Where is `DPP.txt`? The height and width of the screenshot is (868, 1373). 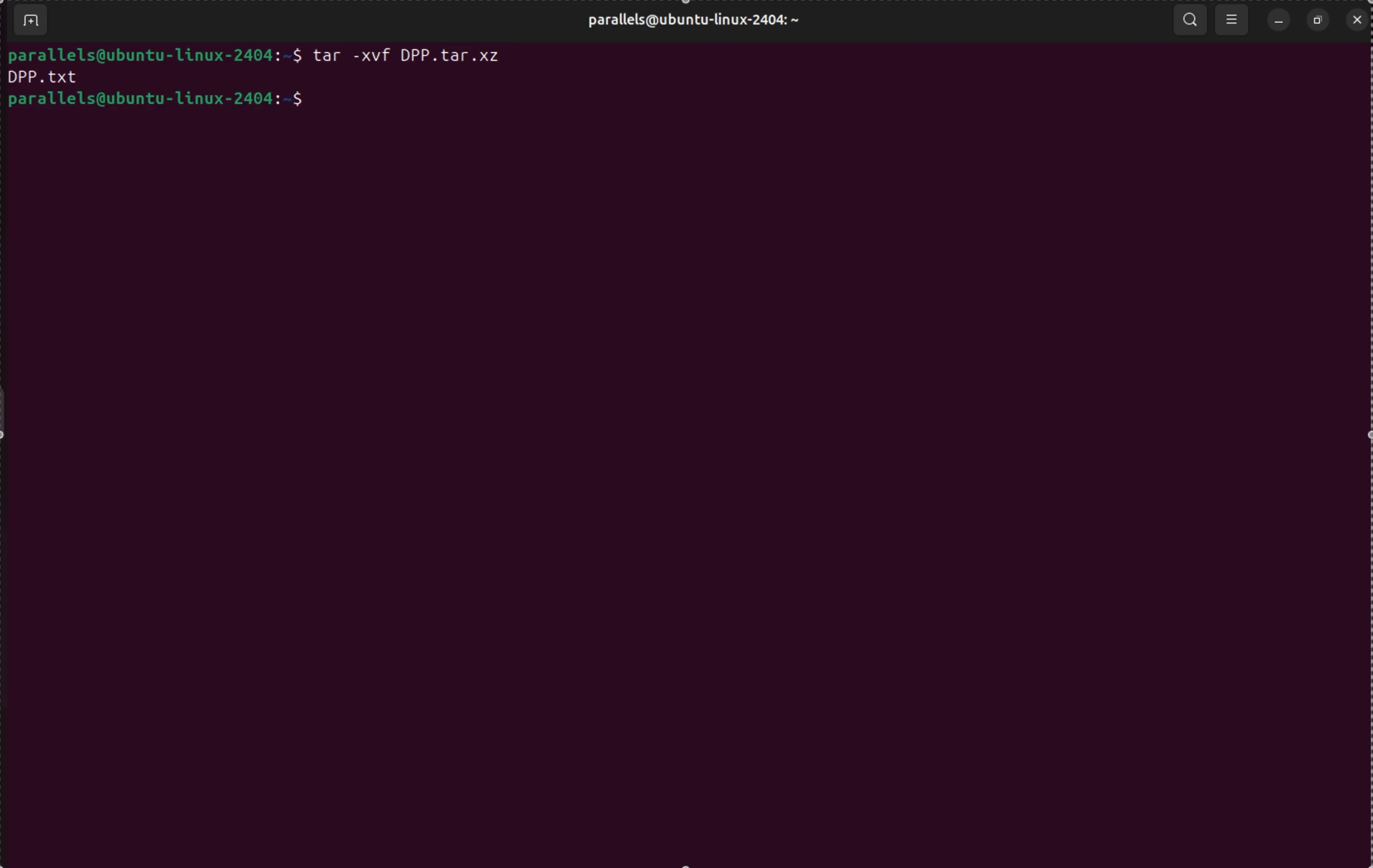
DPP.txt is located at coordinates (47, 77).